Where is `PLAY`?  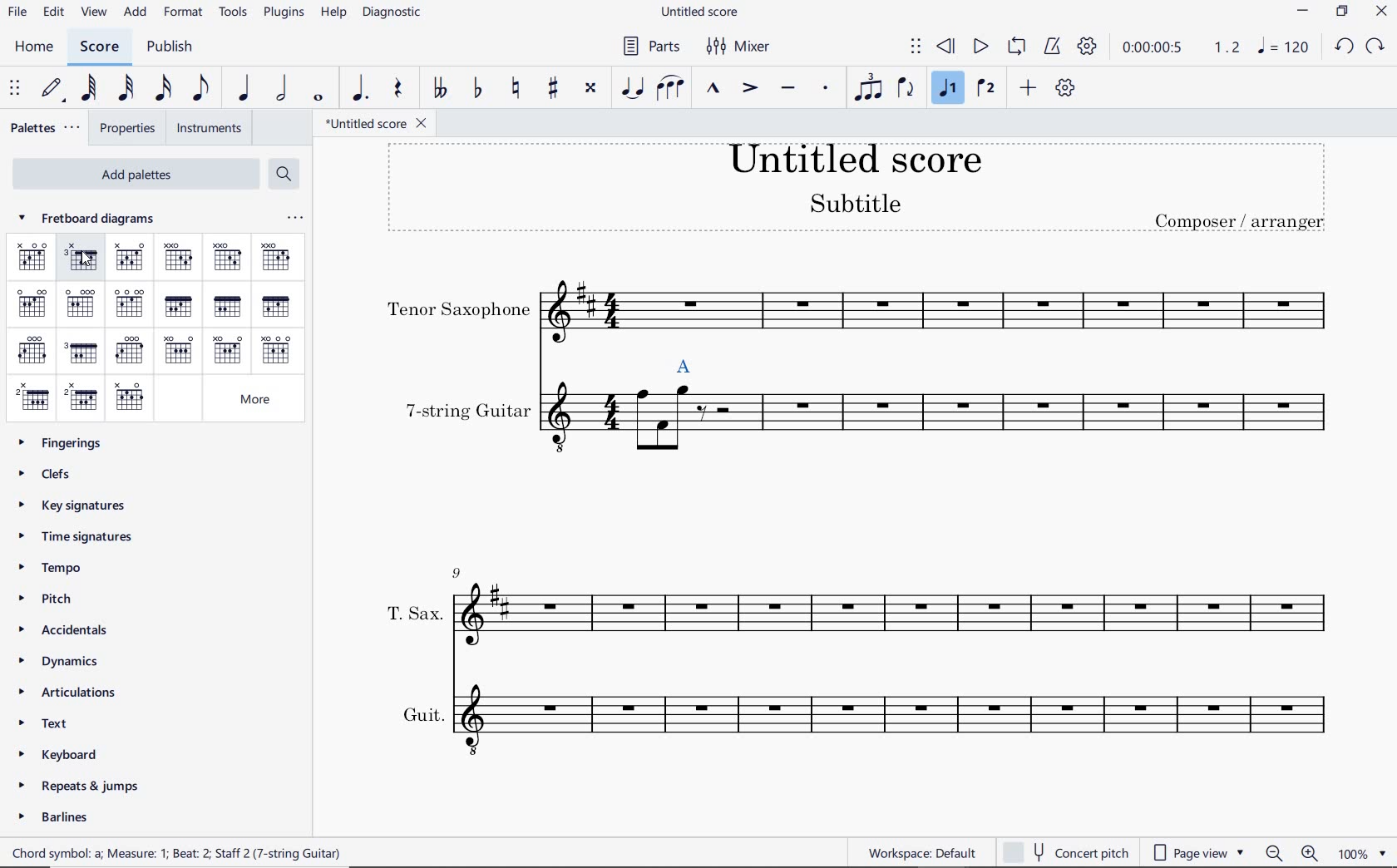
PLAY is located at coordinates (980, 46).